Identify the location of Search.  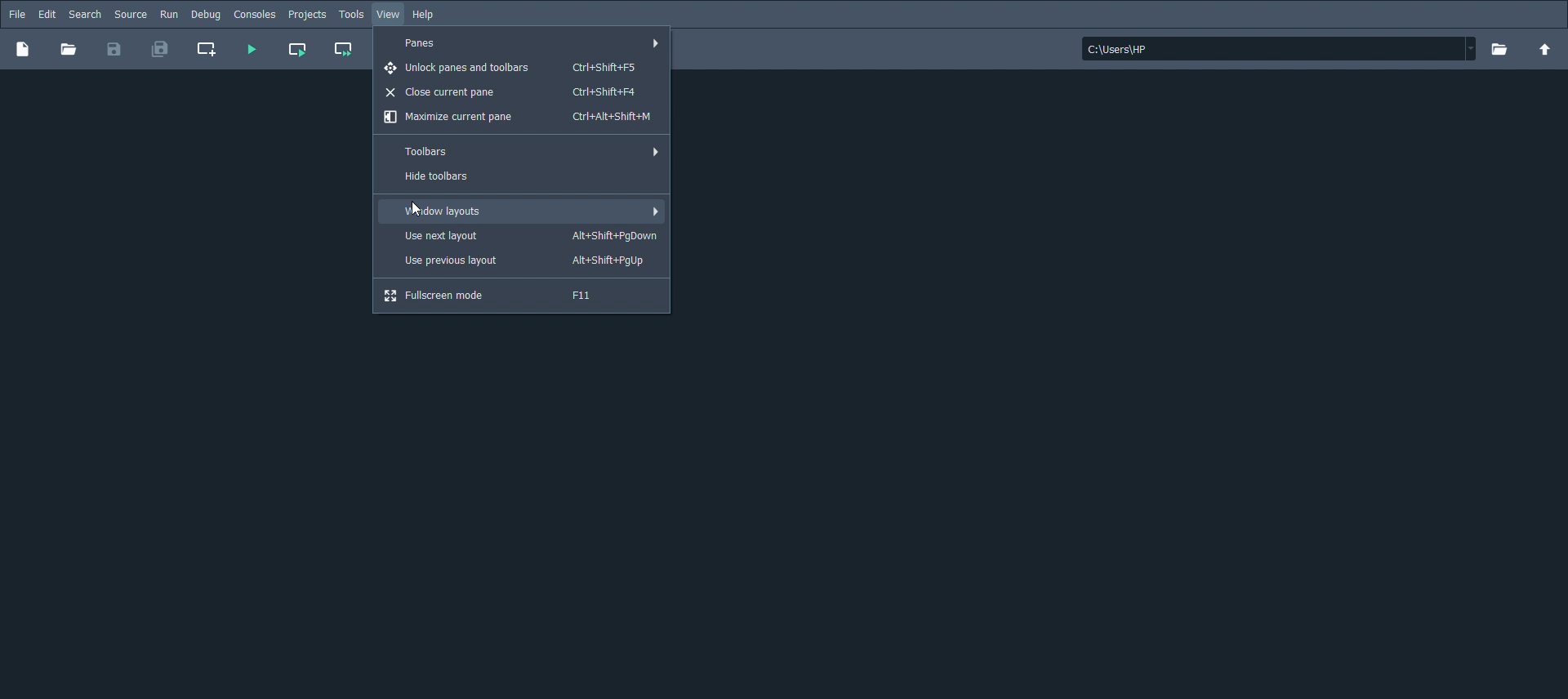
(84, 14).